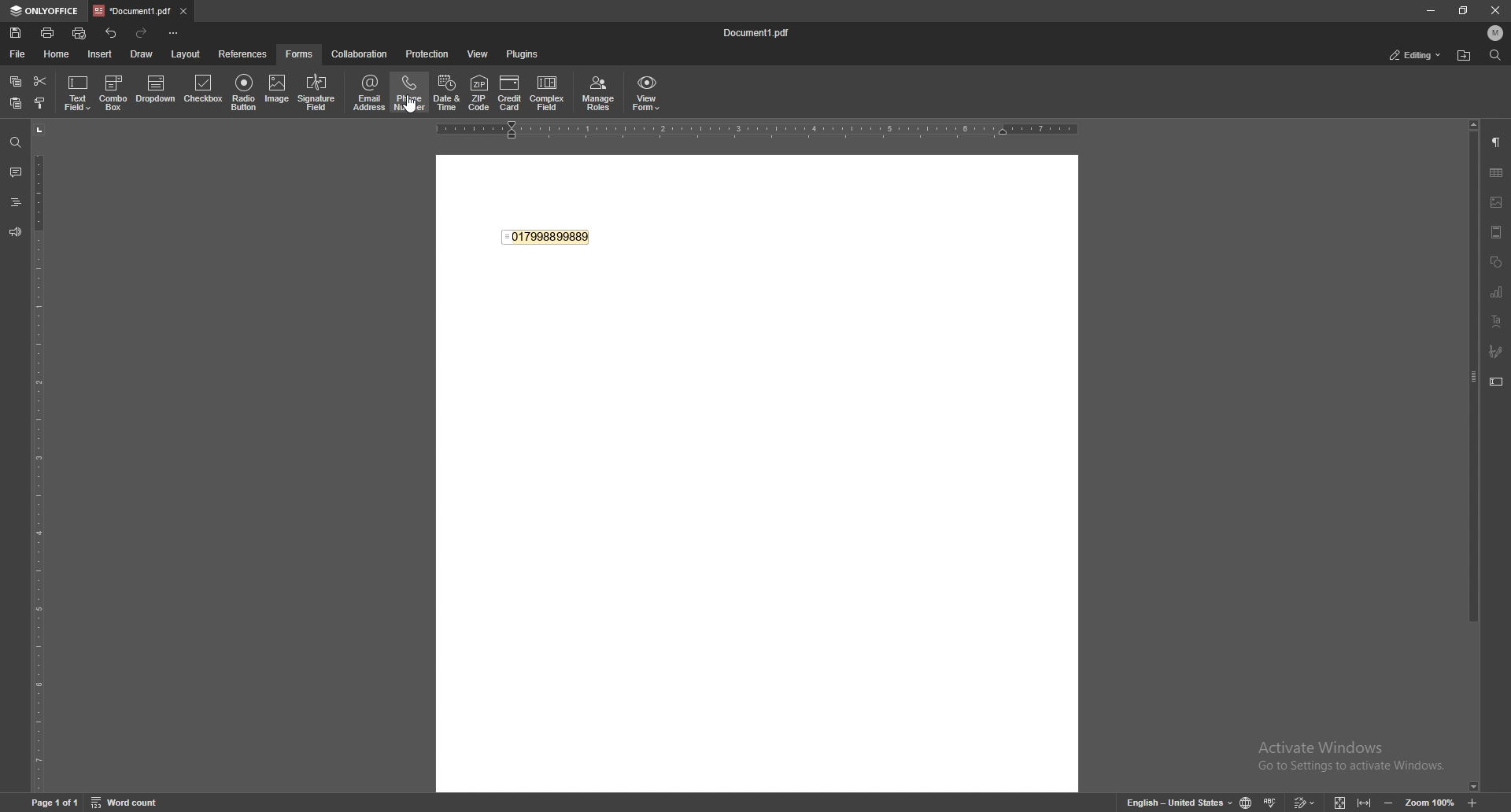 The height and width of the screenshot is (812, 1511). What do you see at coordinates (1180, 802) in the screenshot?
I see `English- United States` at bounding box center [1180, 802].